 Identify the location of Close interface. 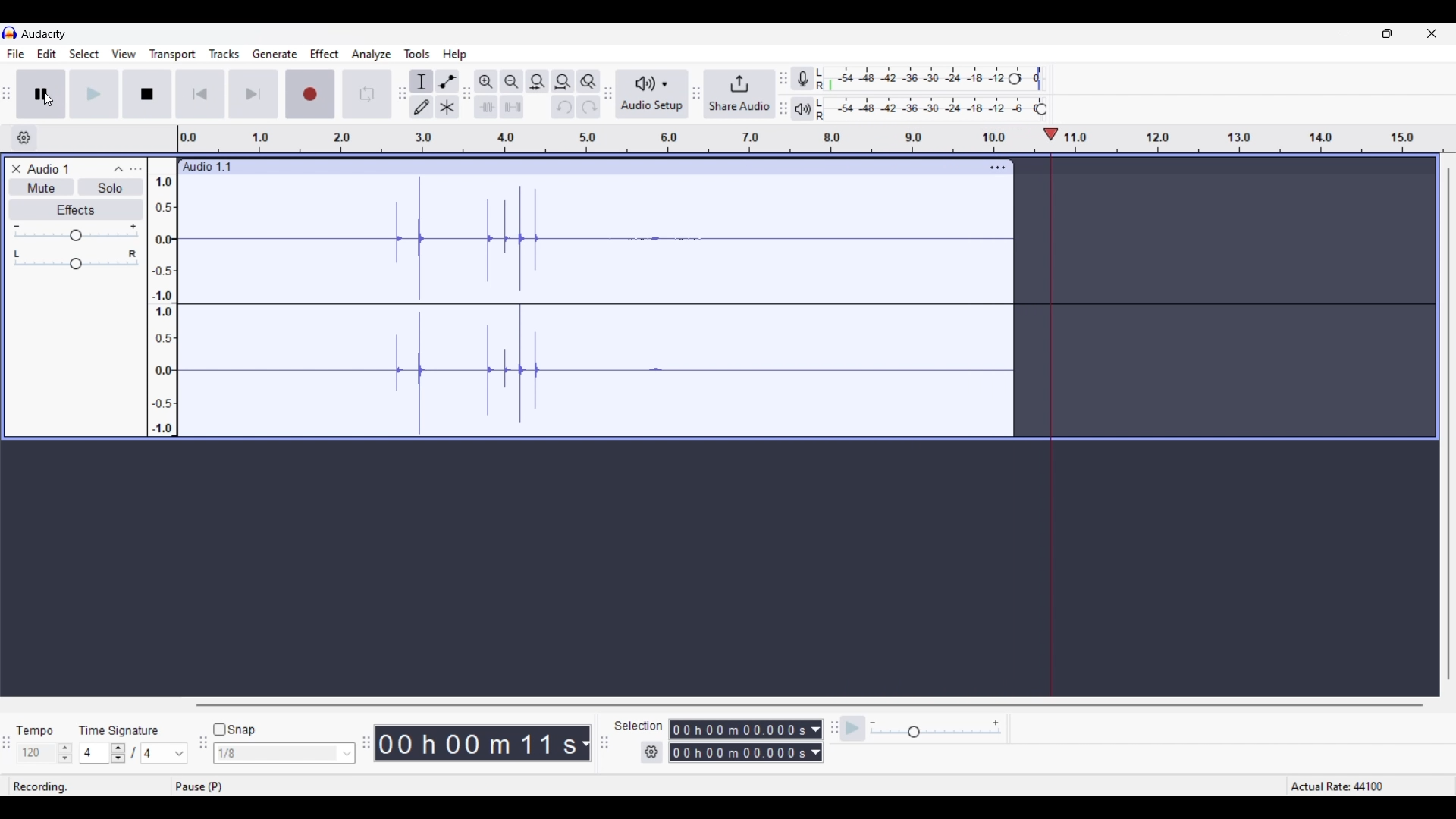
(1432, 33).